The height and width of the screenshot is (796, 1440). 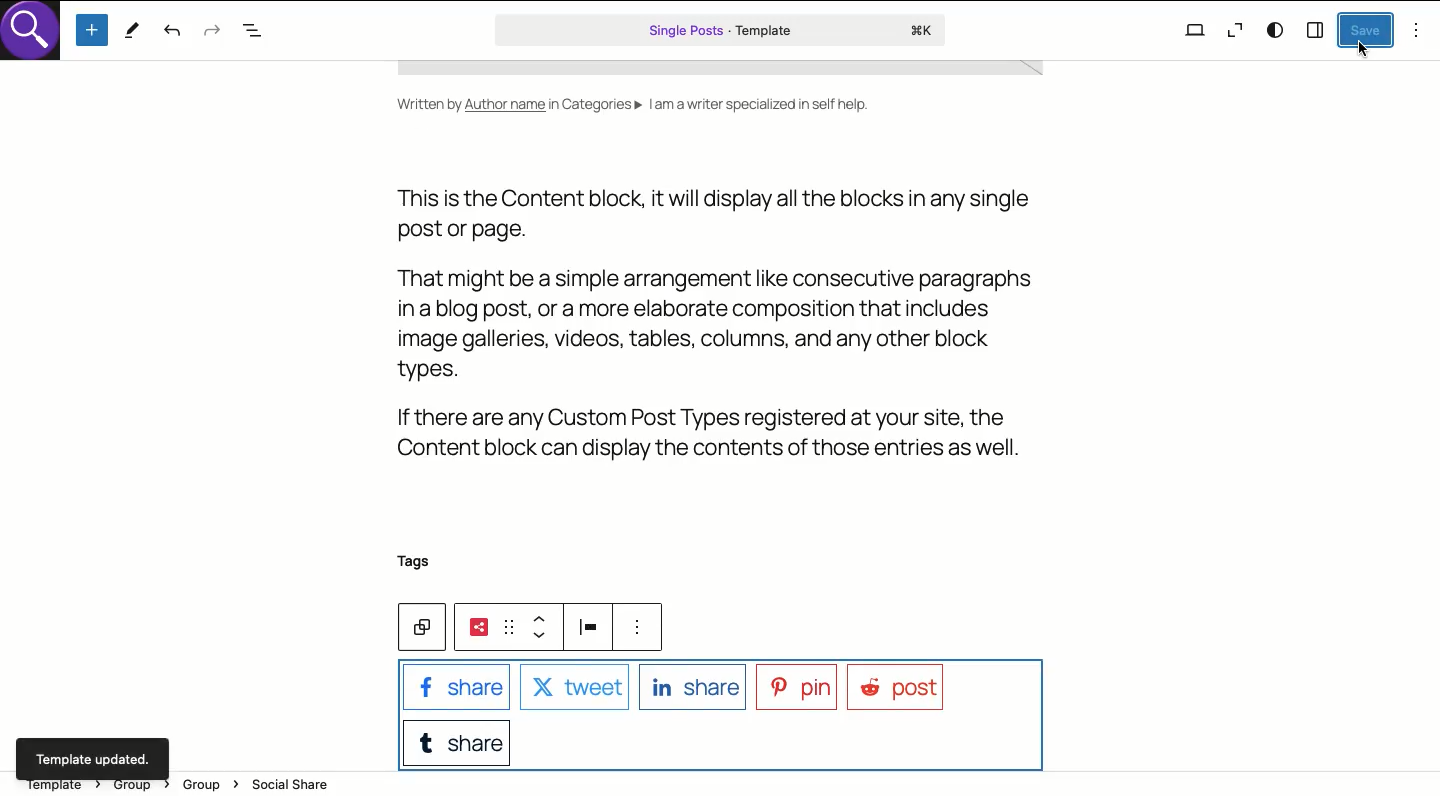 I want to click on Undo, so click(x=172, y=32).